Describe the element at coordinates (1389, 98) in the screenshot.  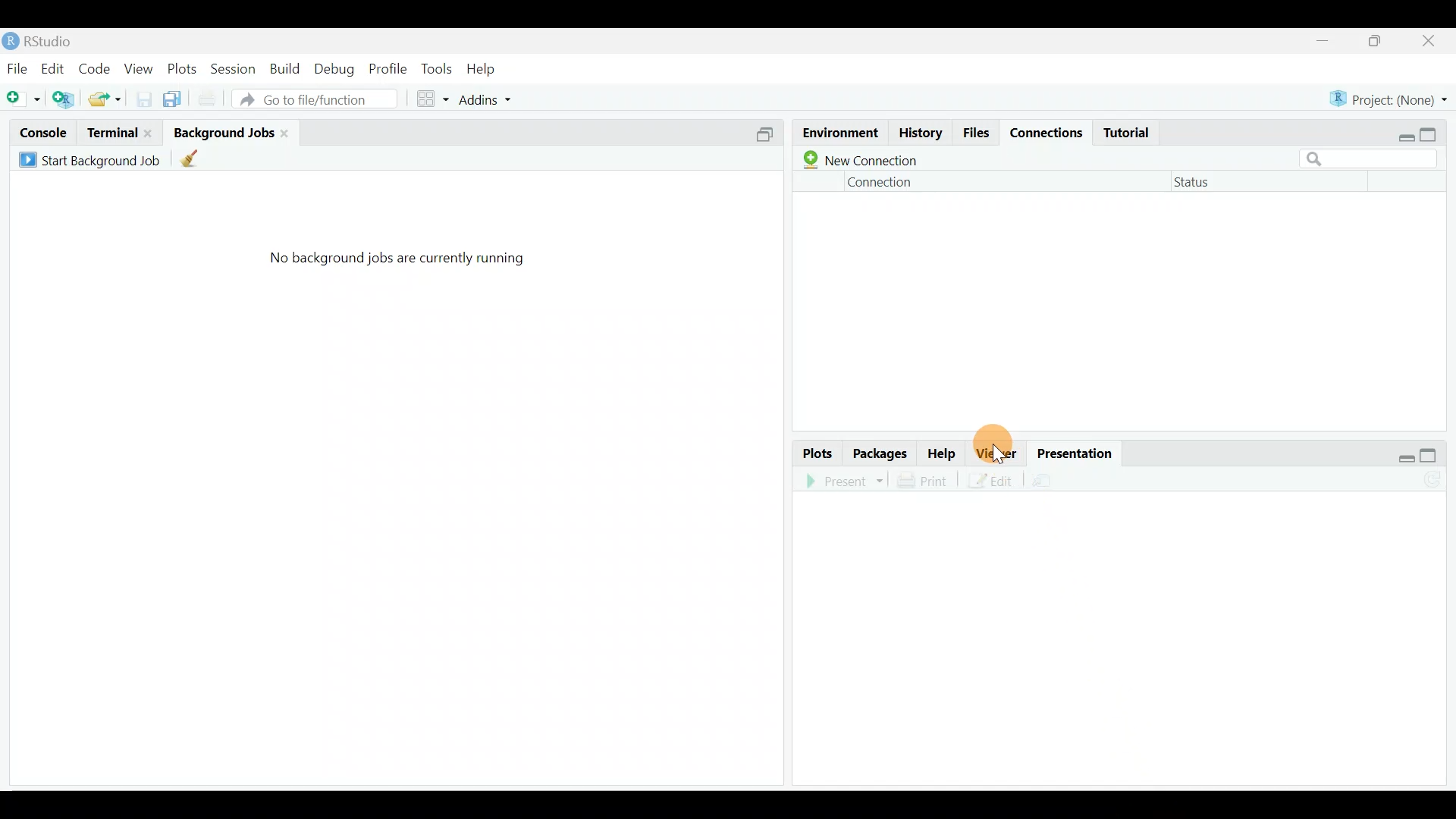
I see `Project (None)` at that location.